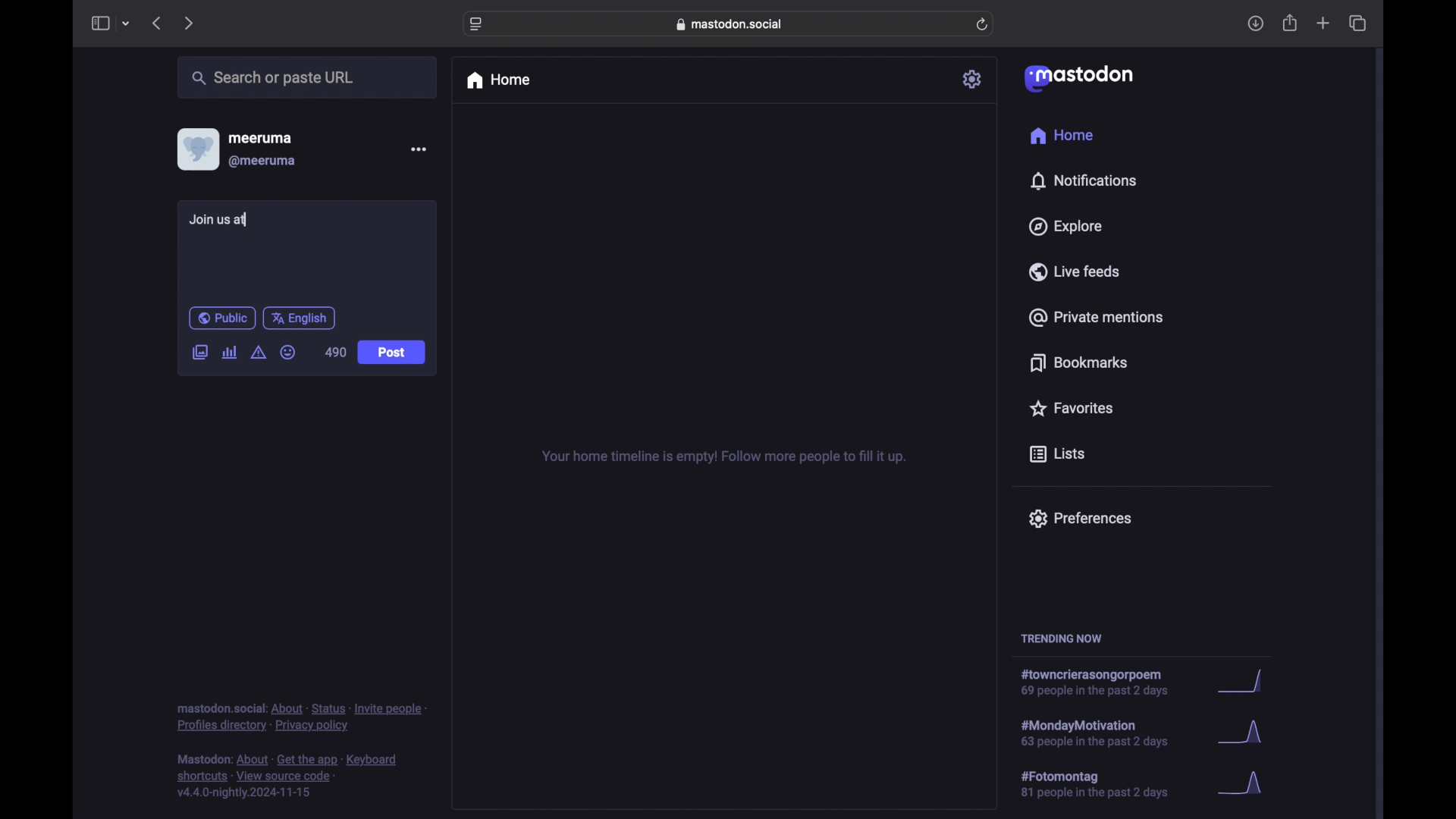 Image resolution: width=1456 pixels, height=819 pixels. What do you see at coordinates (497, 80) in the screenshot?
I see `home` at bounding box center [497, 80].